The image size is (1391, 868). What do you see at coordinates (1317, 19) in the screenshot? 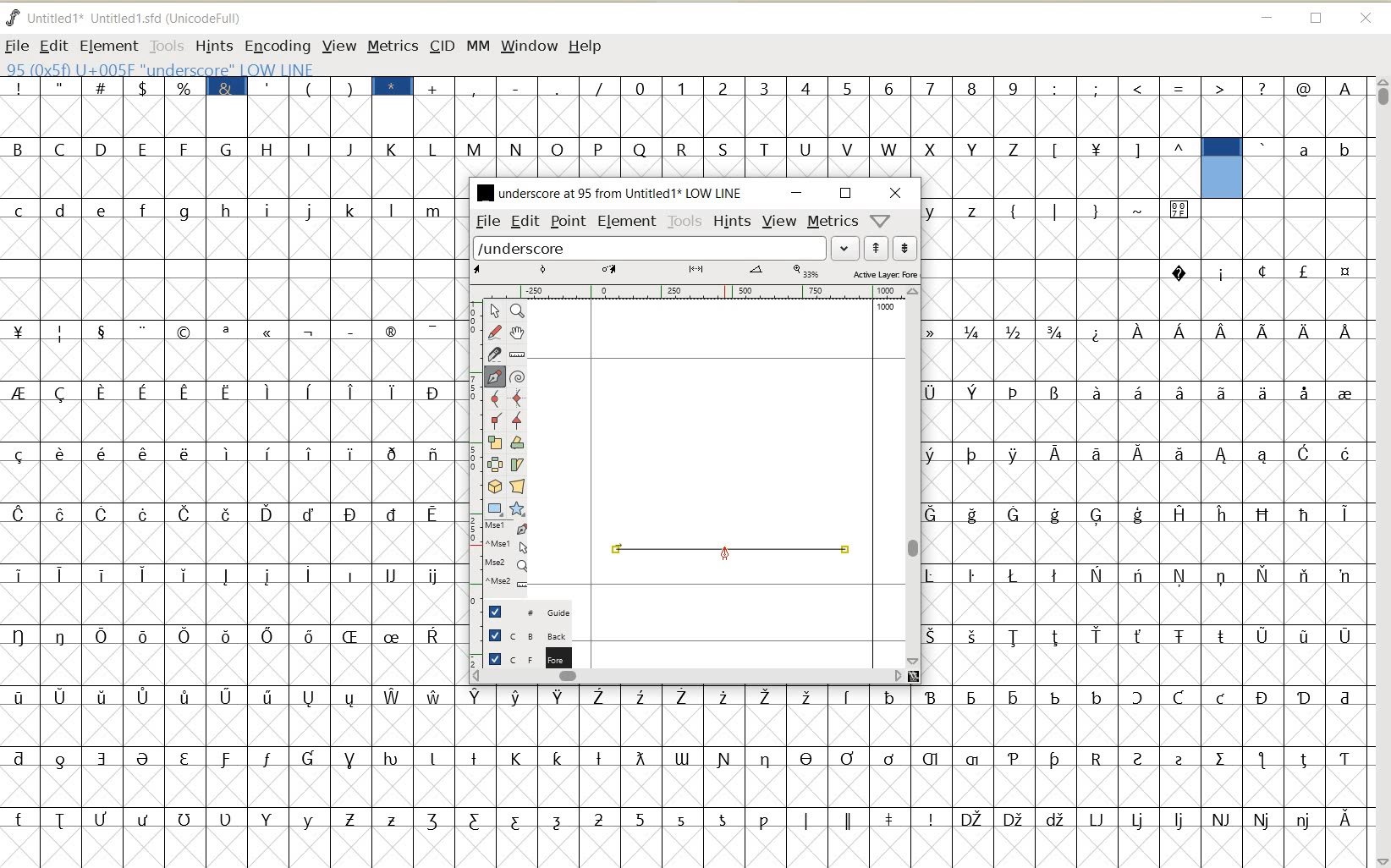
I see `RESTORE` at bounding box center [1317, 19].